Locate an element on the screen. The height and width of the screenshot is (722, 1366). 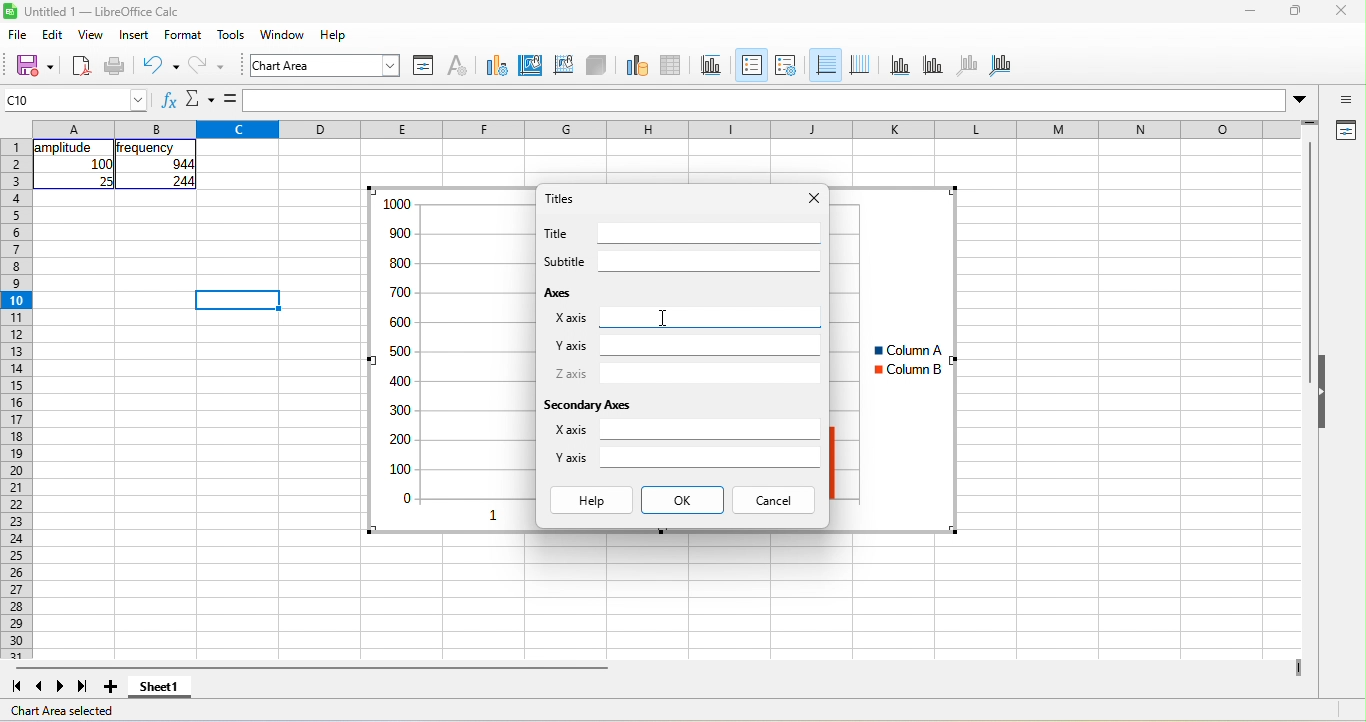
font name is located at coordinates (325, 65).